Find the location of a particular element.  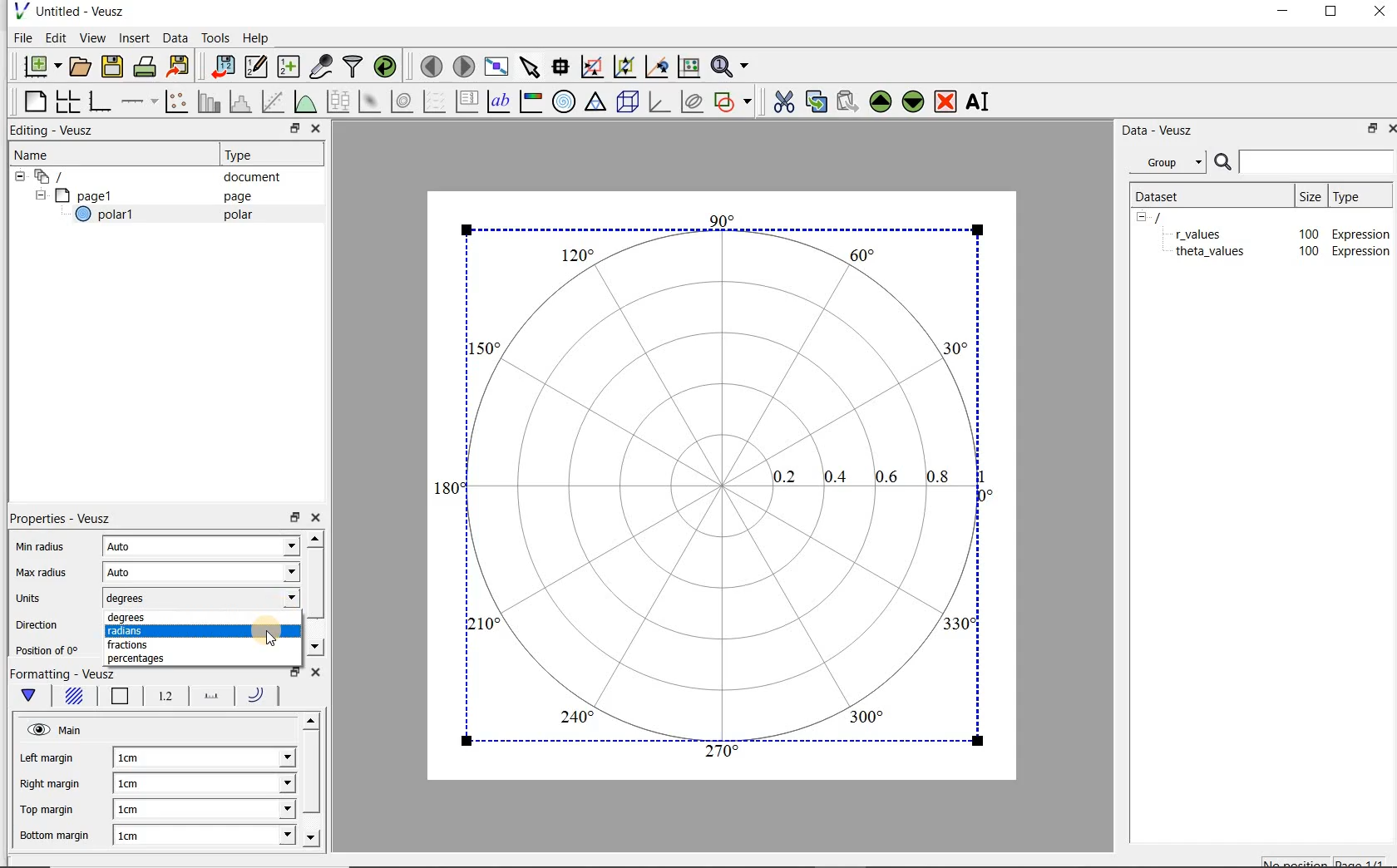

blank page is located at coordinates (32, 99).